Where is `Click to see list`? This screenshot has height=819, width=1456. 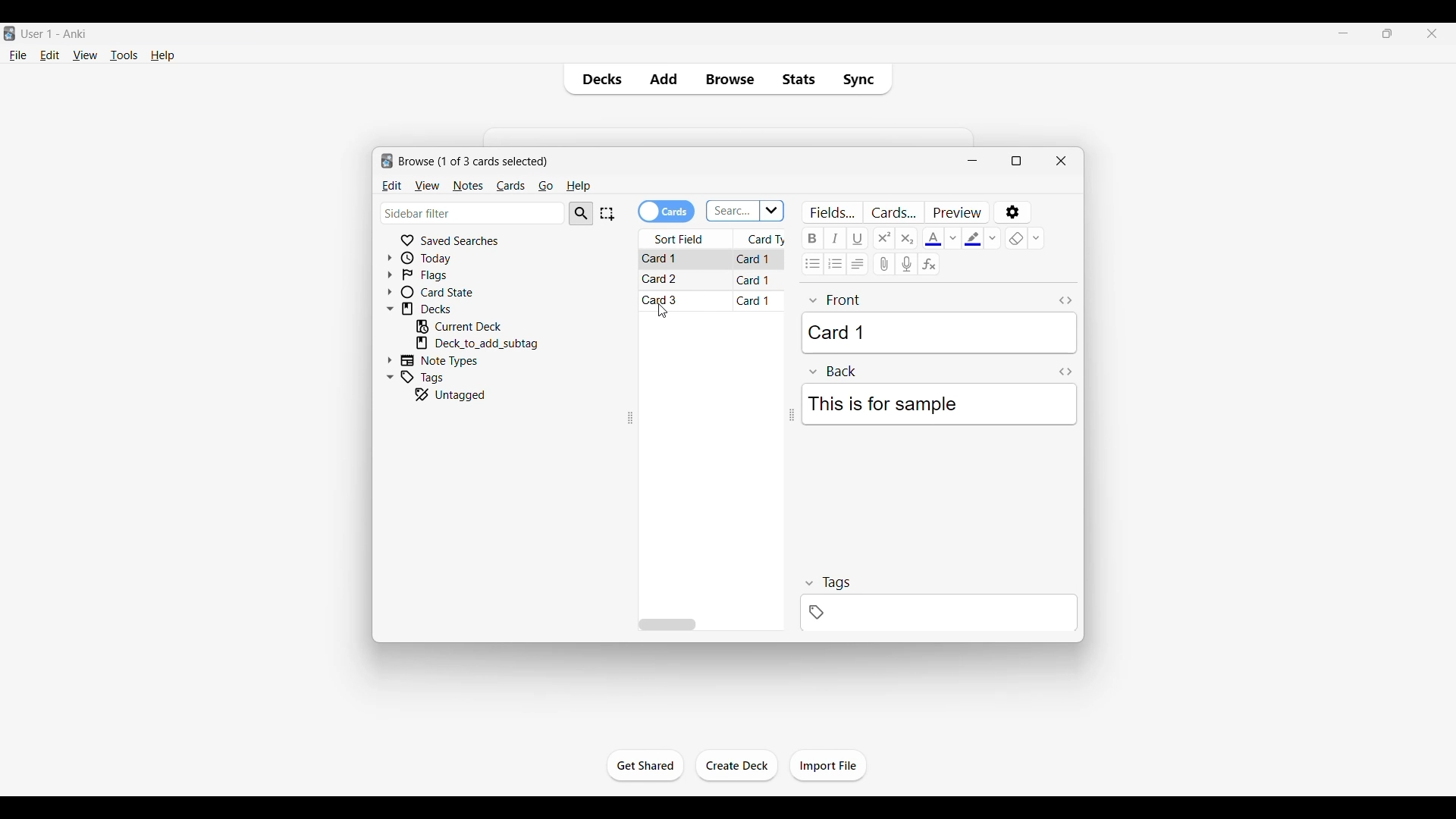
Click to see list is located at coordinates (773, 211).